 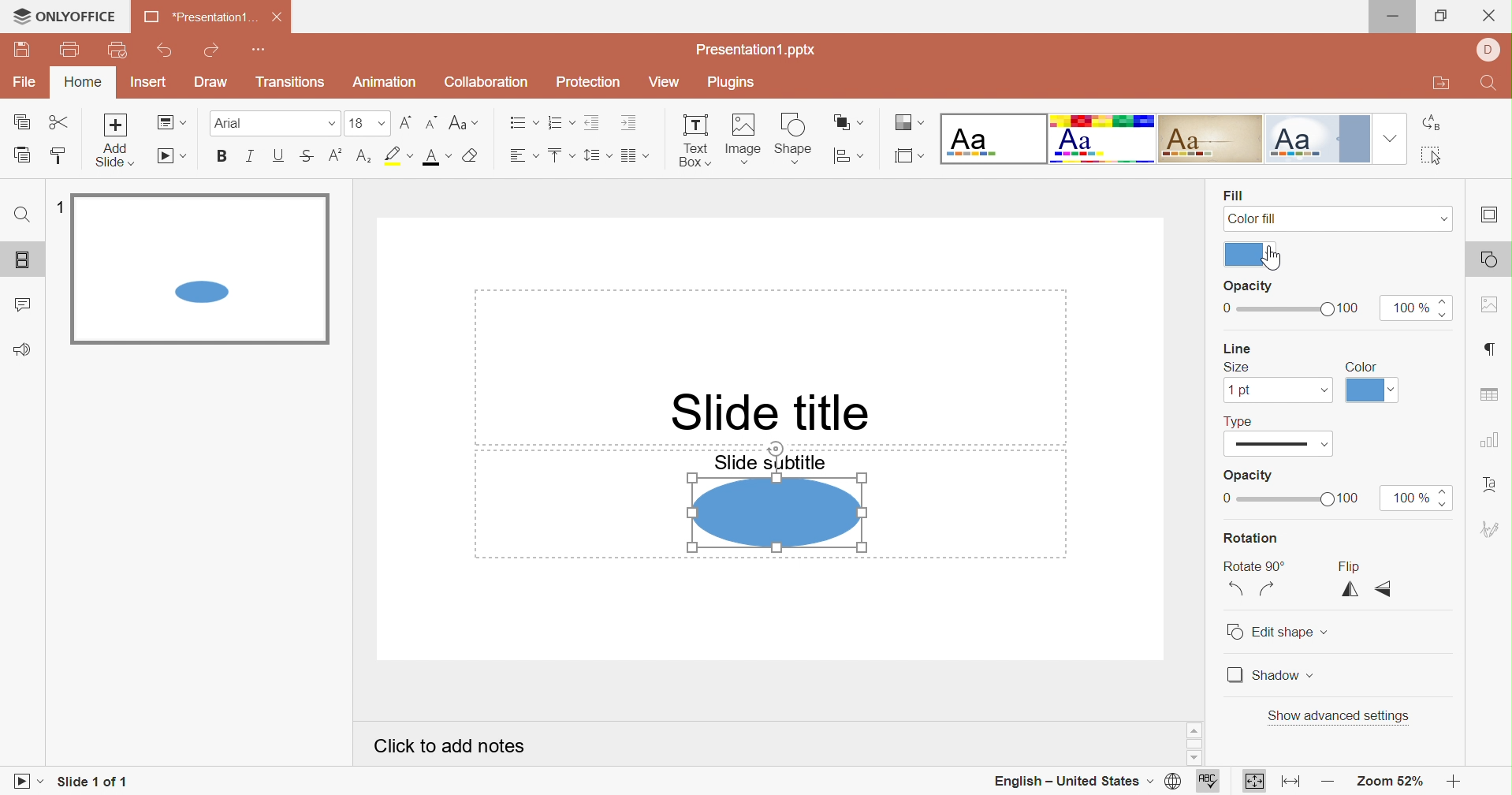 What do you see at coordinates (404, 121) in the screenshot?
I see `Increment font size` at bounding box center [404, 121].